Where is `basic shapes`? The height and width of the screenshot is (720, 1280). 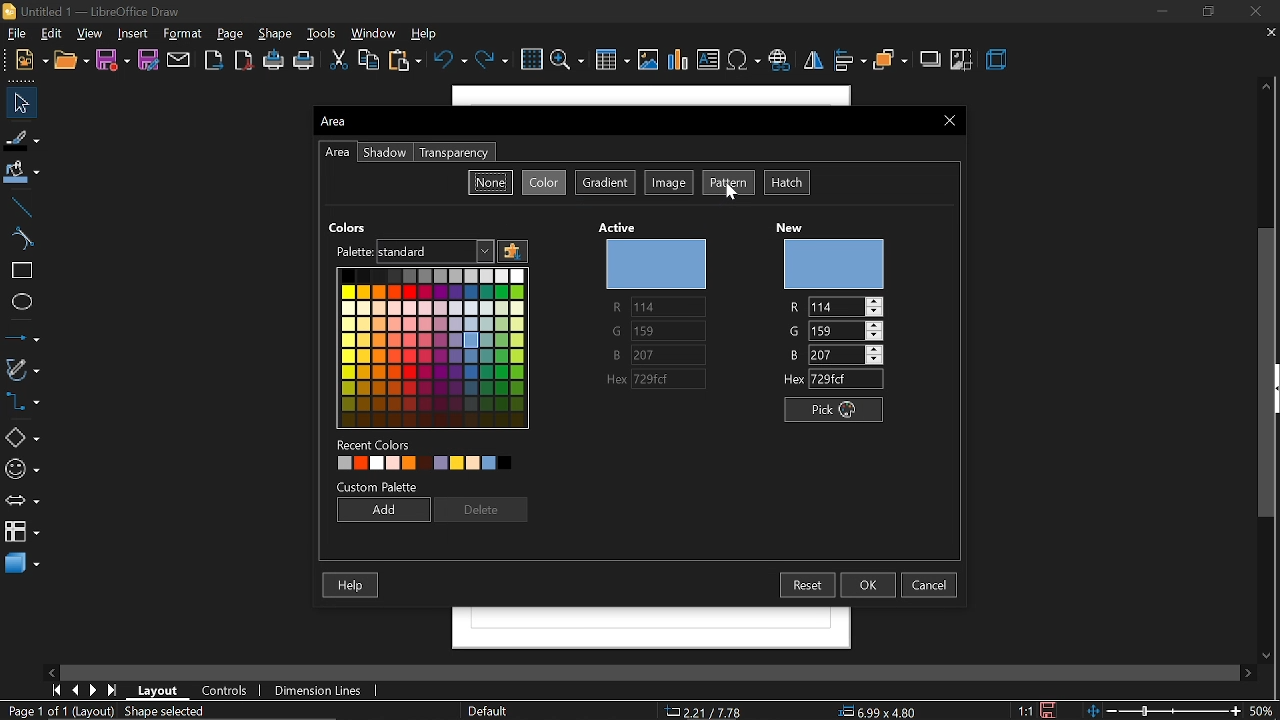
basic shapes is located at coordinates (21, 438).